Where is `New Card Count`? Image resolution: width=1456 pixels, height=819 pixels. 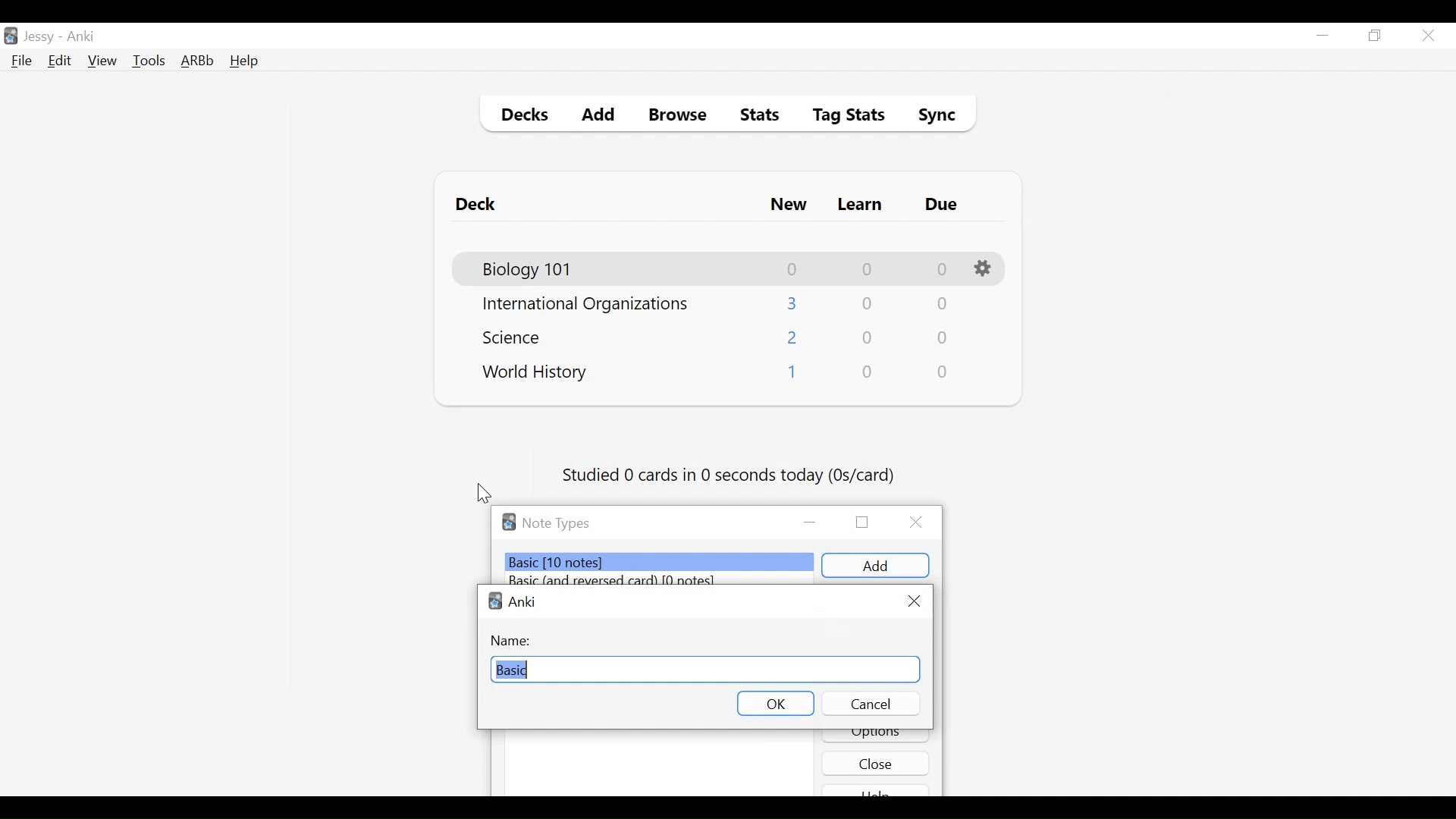
New Card Count is located at coordinates (791, 375).